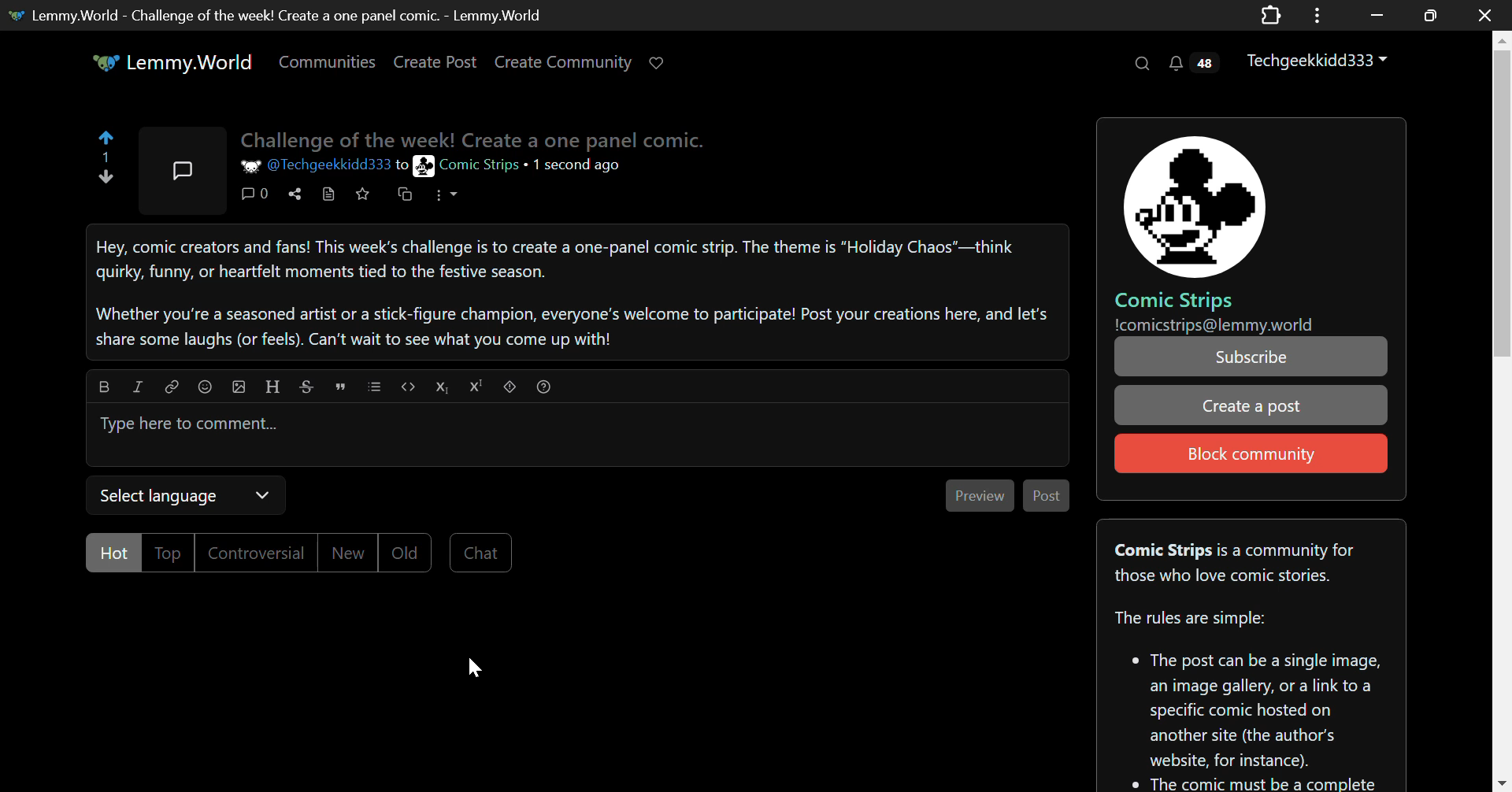  What do you see at coordinates (107, 160) in the screenshot?
I see `1 Upvote` at bounding box center [107, 160].